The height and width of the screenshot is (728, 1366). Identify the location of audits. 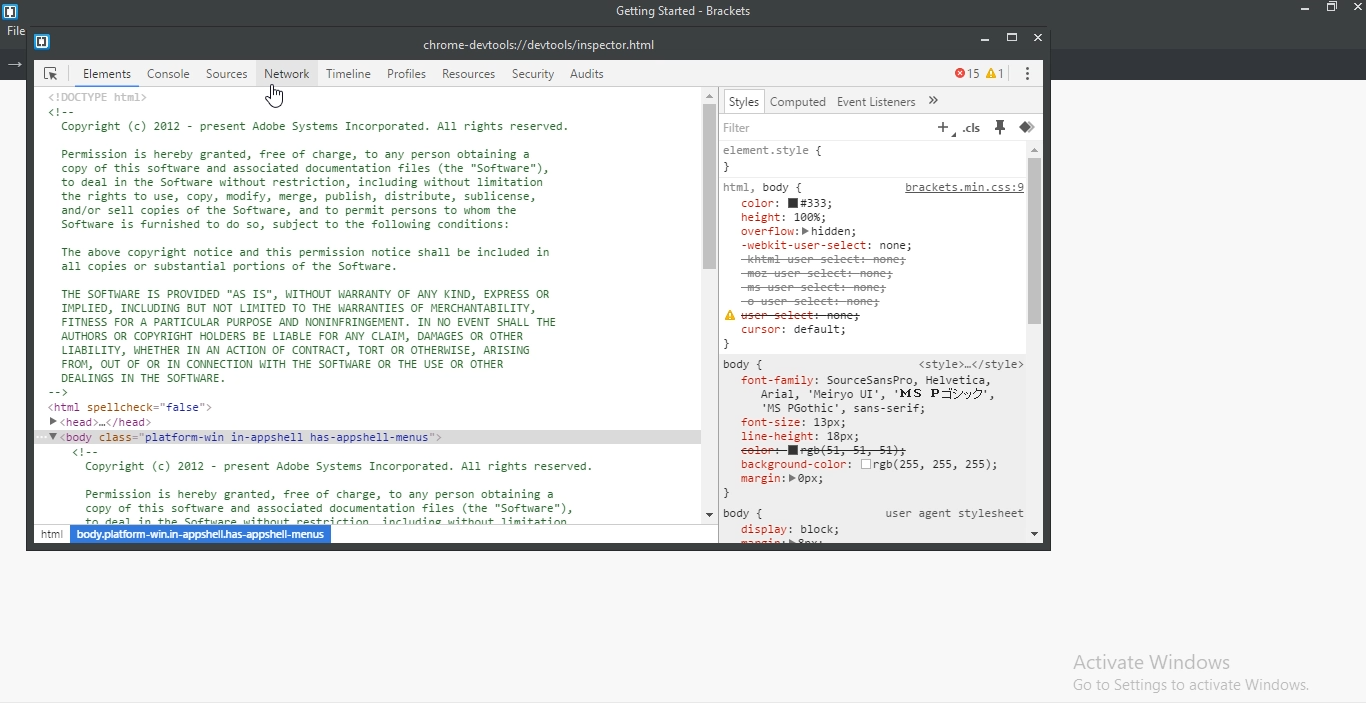
(591, 72).